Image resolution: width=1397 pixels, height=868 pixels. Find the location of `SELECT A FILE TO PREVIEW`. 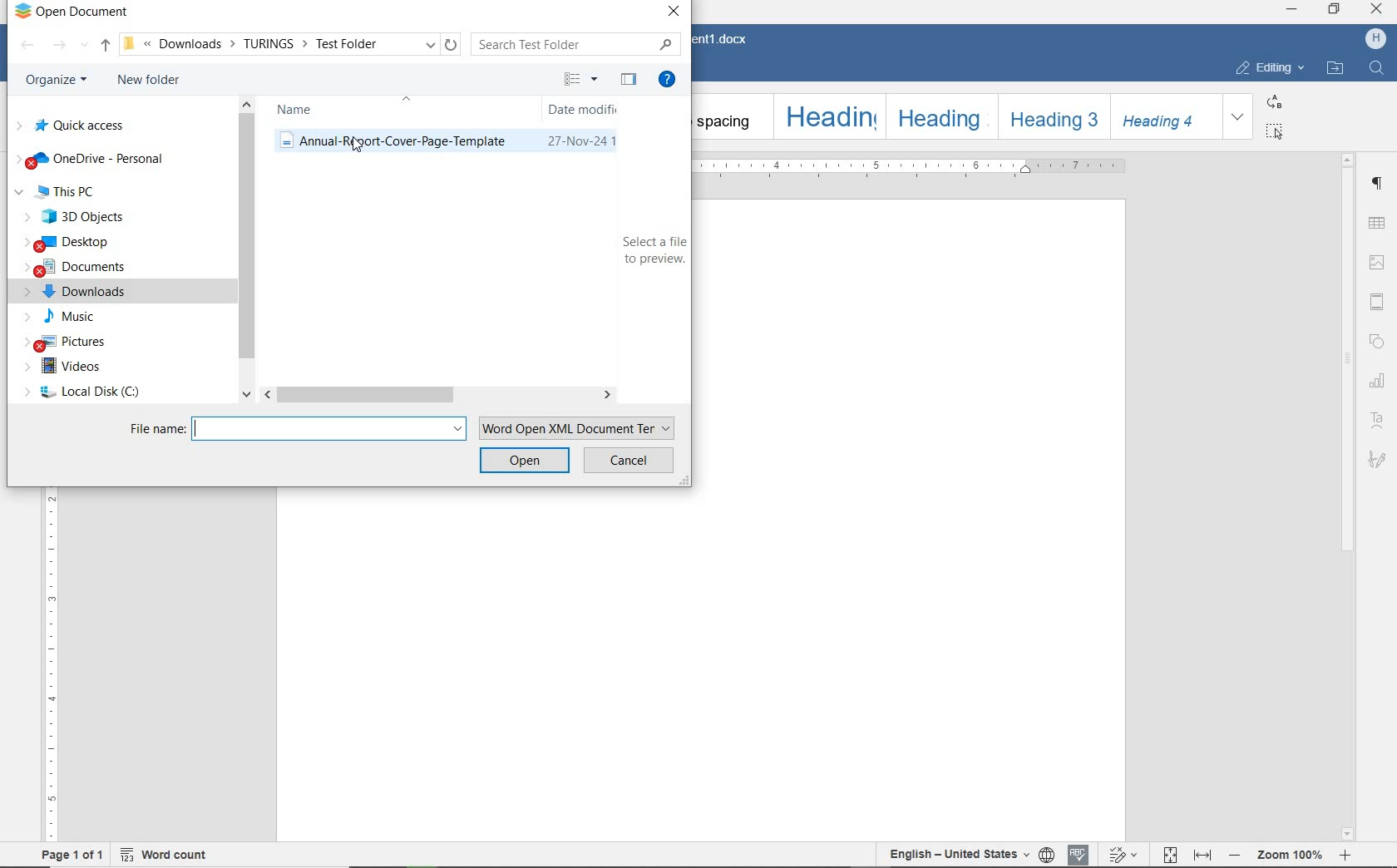

SELECT A FILE TO PREVIEW is located at coordinates (649, 253).